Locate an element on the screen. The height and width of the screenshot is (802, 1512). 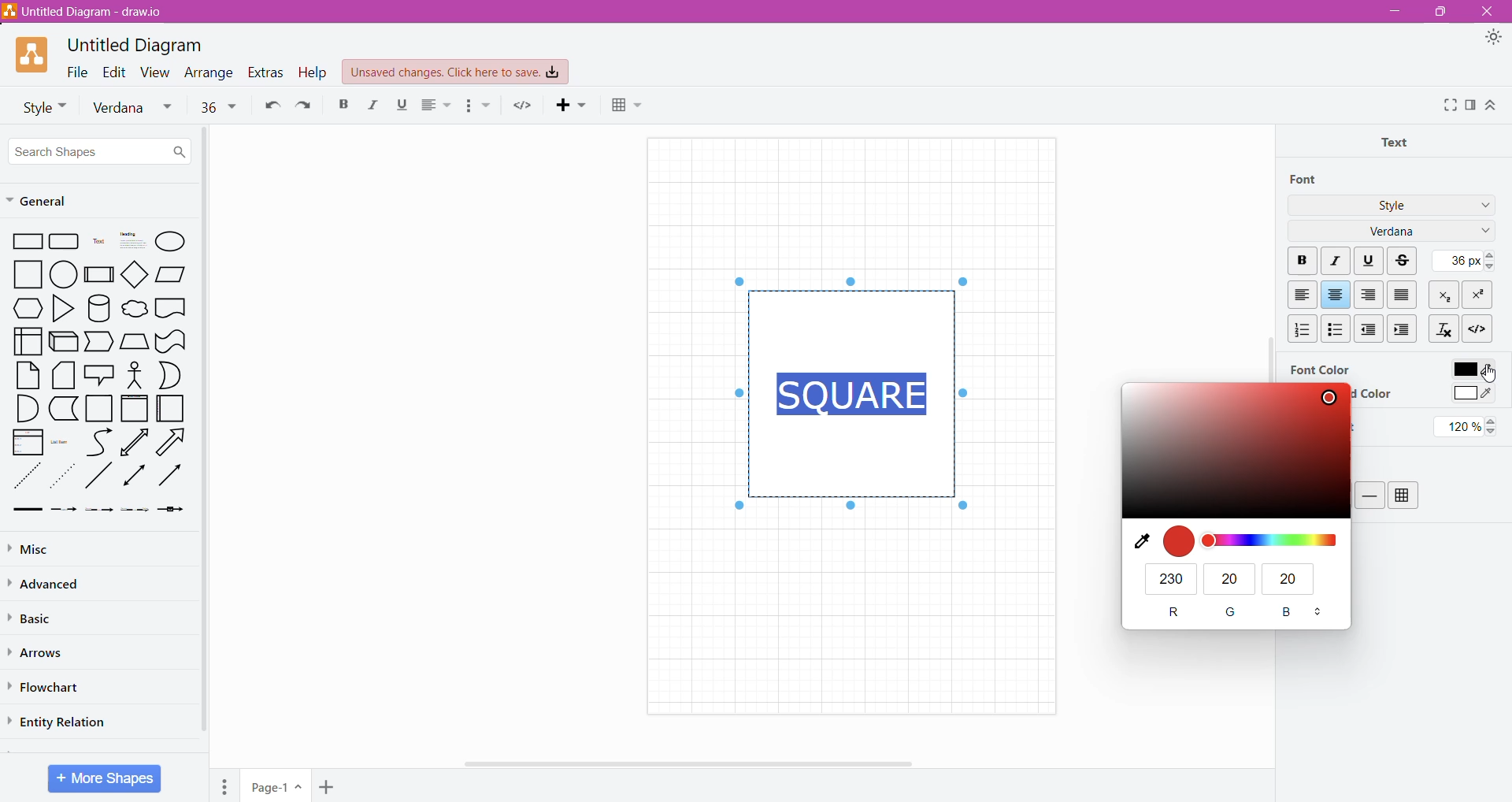
frame is located at coordinates (134, 408).